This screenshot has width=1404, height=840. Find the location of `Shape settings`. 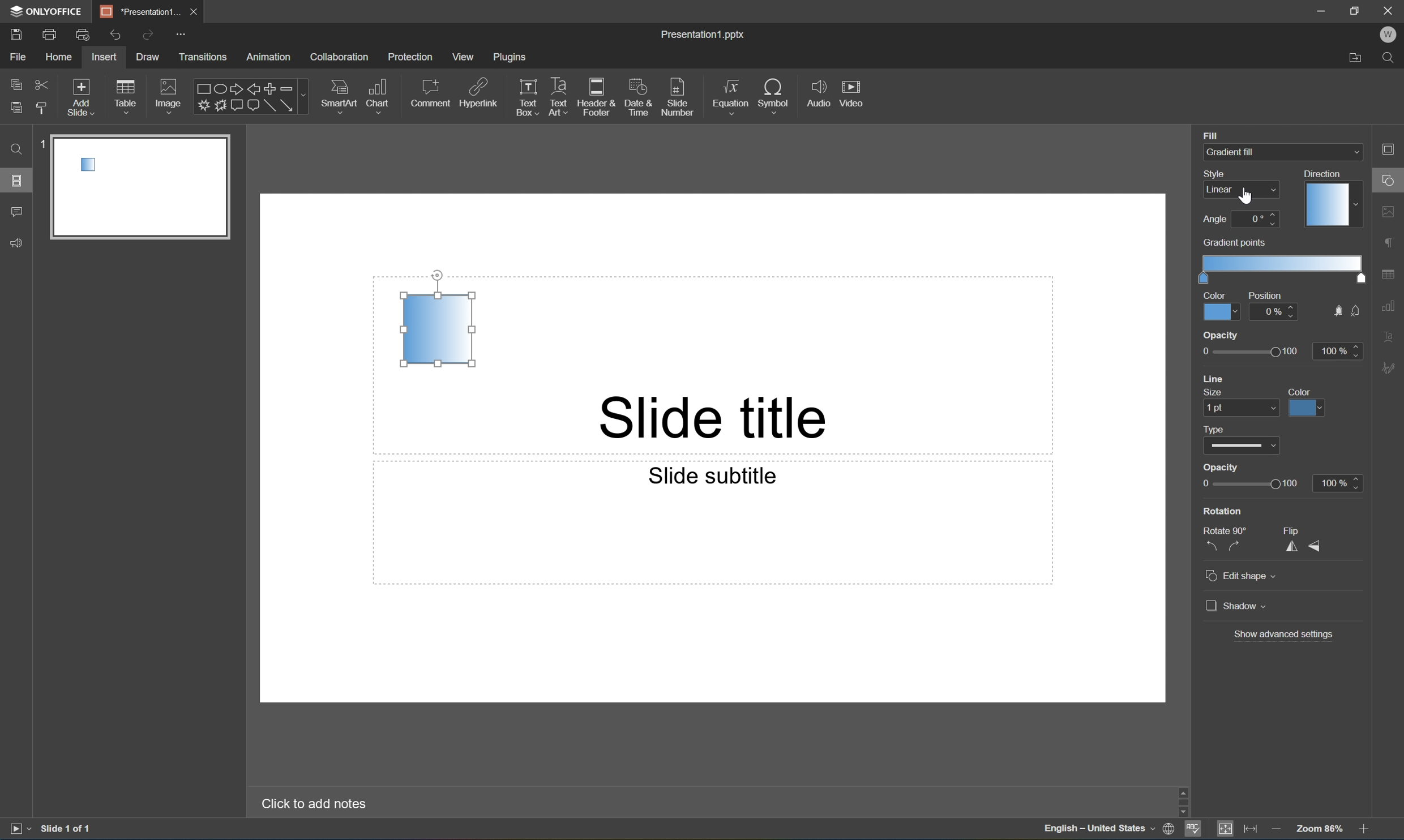

Shape settings is located at coordinates (1393, 179).